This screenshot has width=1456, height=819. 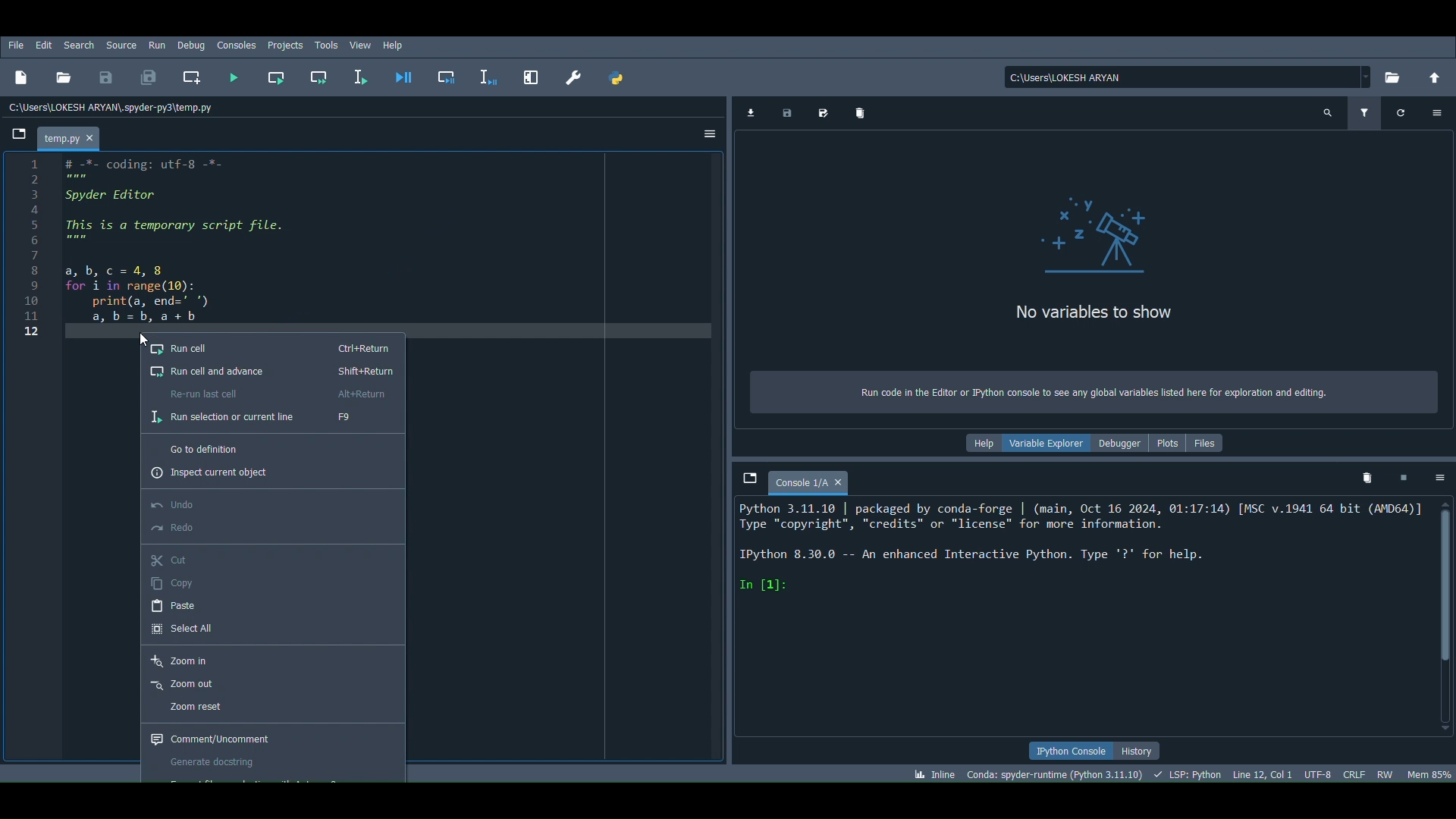 What do you see at coordinates (278, 75) in the screenshot?
I see `Run current cell (Ctrl + Return)` at bounding box center [278, 75].